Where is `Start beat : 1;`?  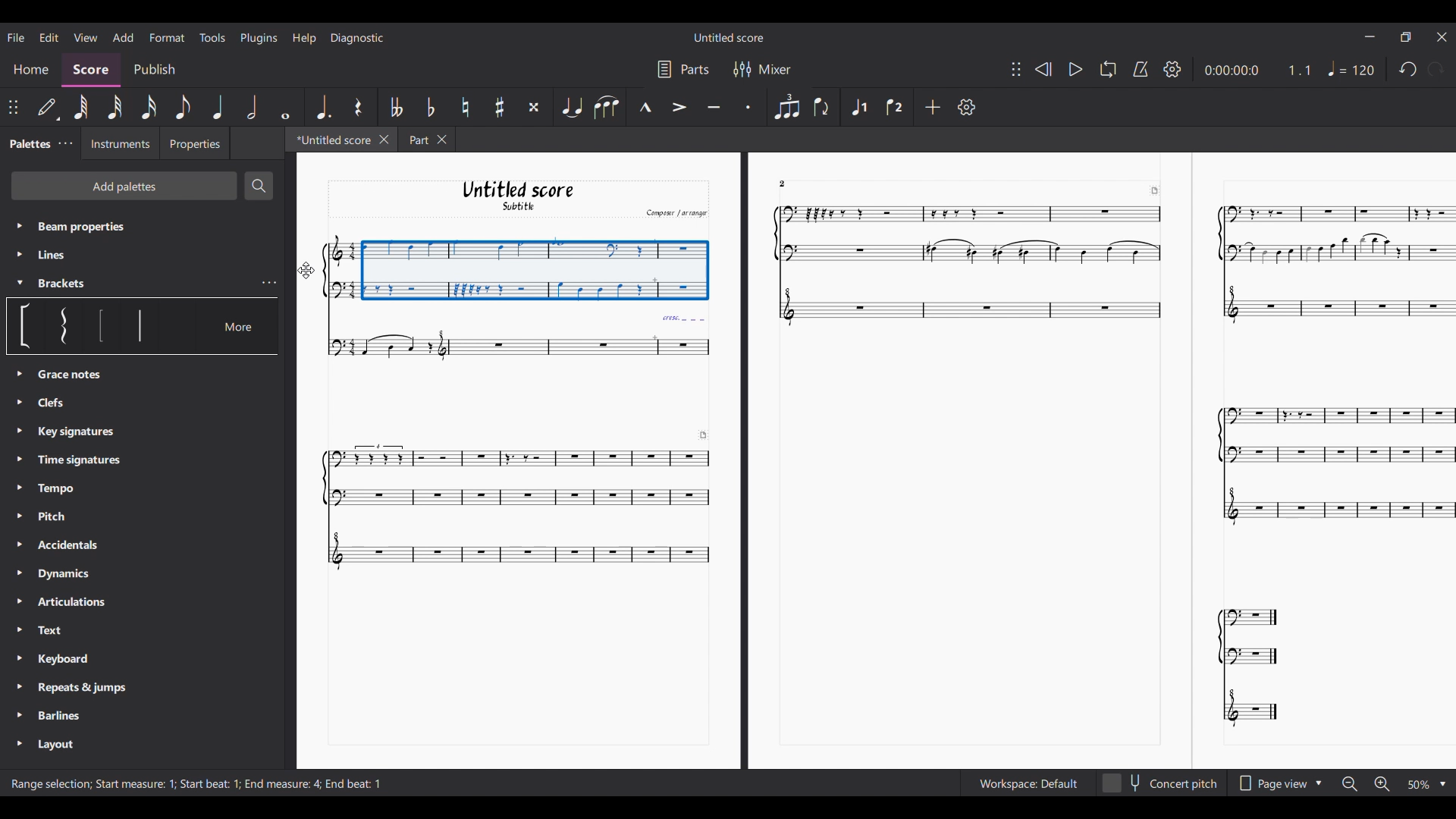
Start beat : 1; is located at coordinates (211, 784).